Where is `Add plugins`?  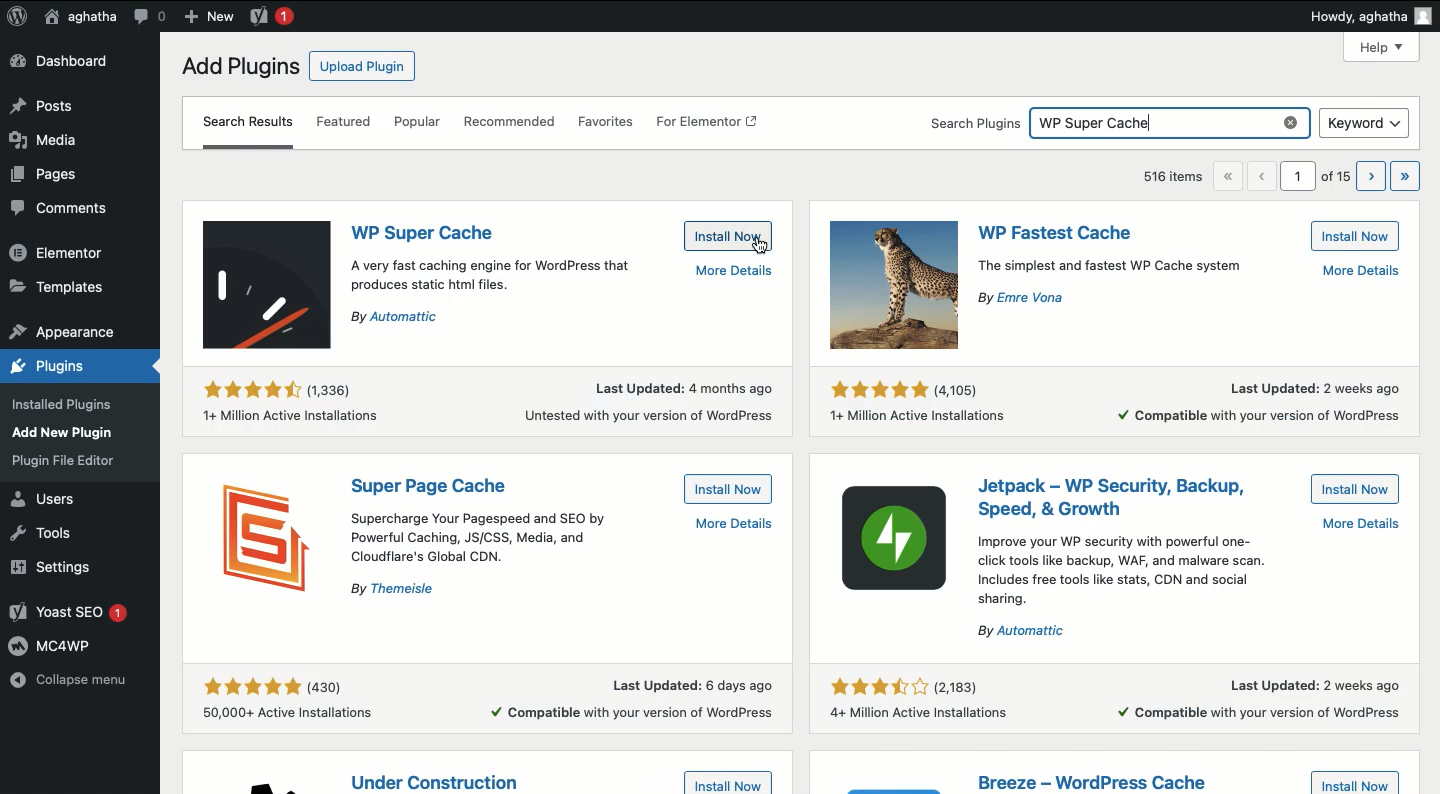 Add plugins is located at coordinates (238, 67).